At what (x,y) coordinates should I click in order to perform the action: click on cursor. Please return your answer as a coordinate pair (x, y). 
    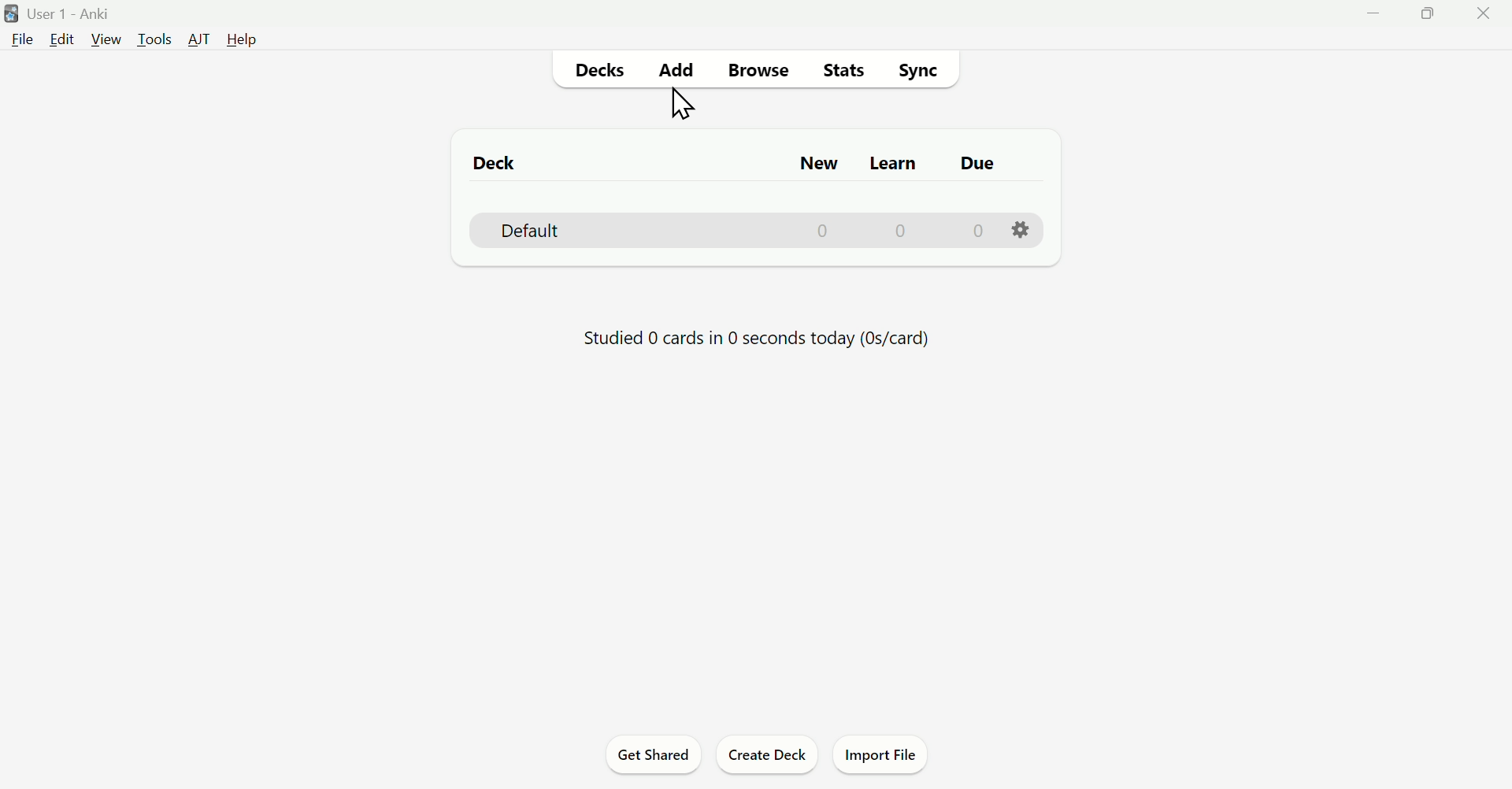
    Looking at the image, I should click on (687, 104).